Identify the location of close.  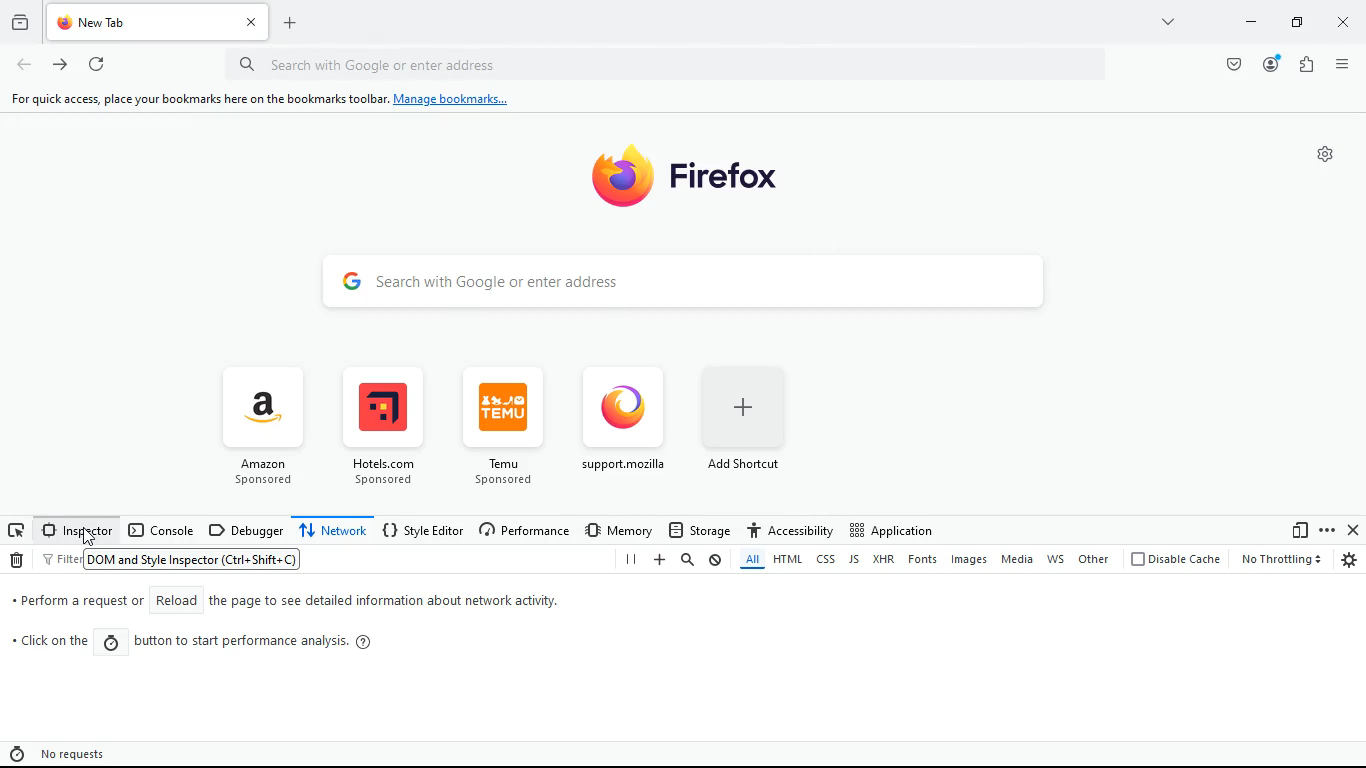
(1345, 25).